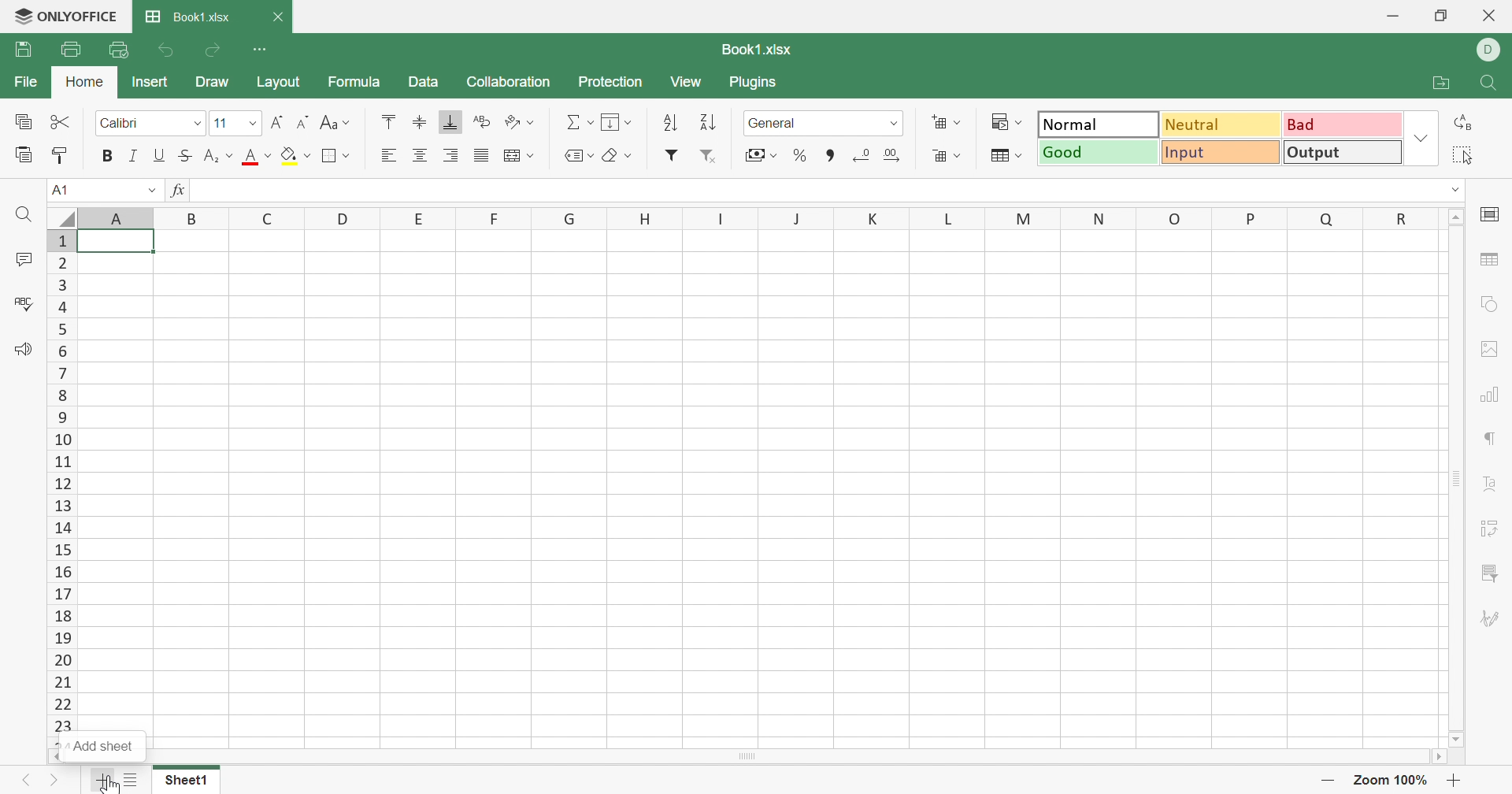 The image size is (1512, 794). I want to click on View, so click(684, 82).